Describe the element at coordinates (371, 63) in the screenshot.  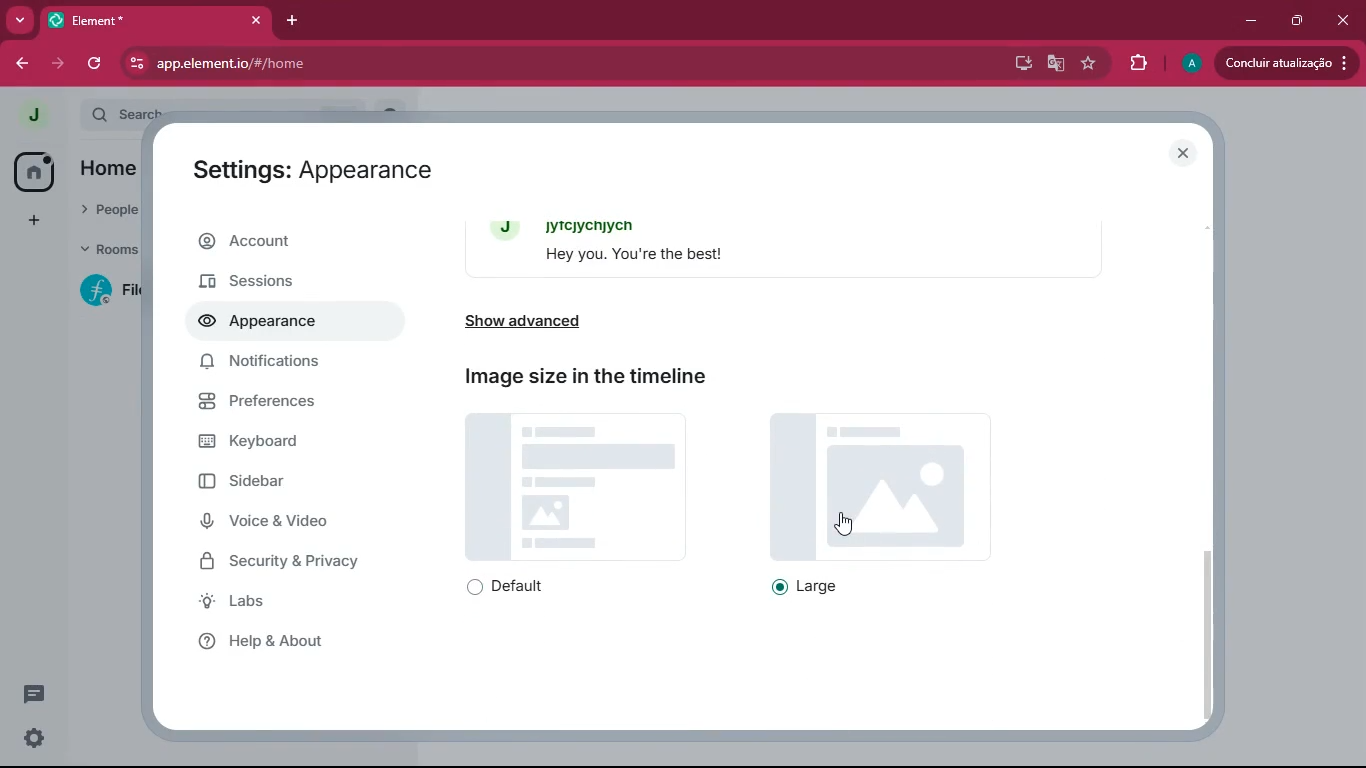
I see `app.elementio/#/home` at that location.